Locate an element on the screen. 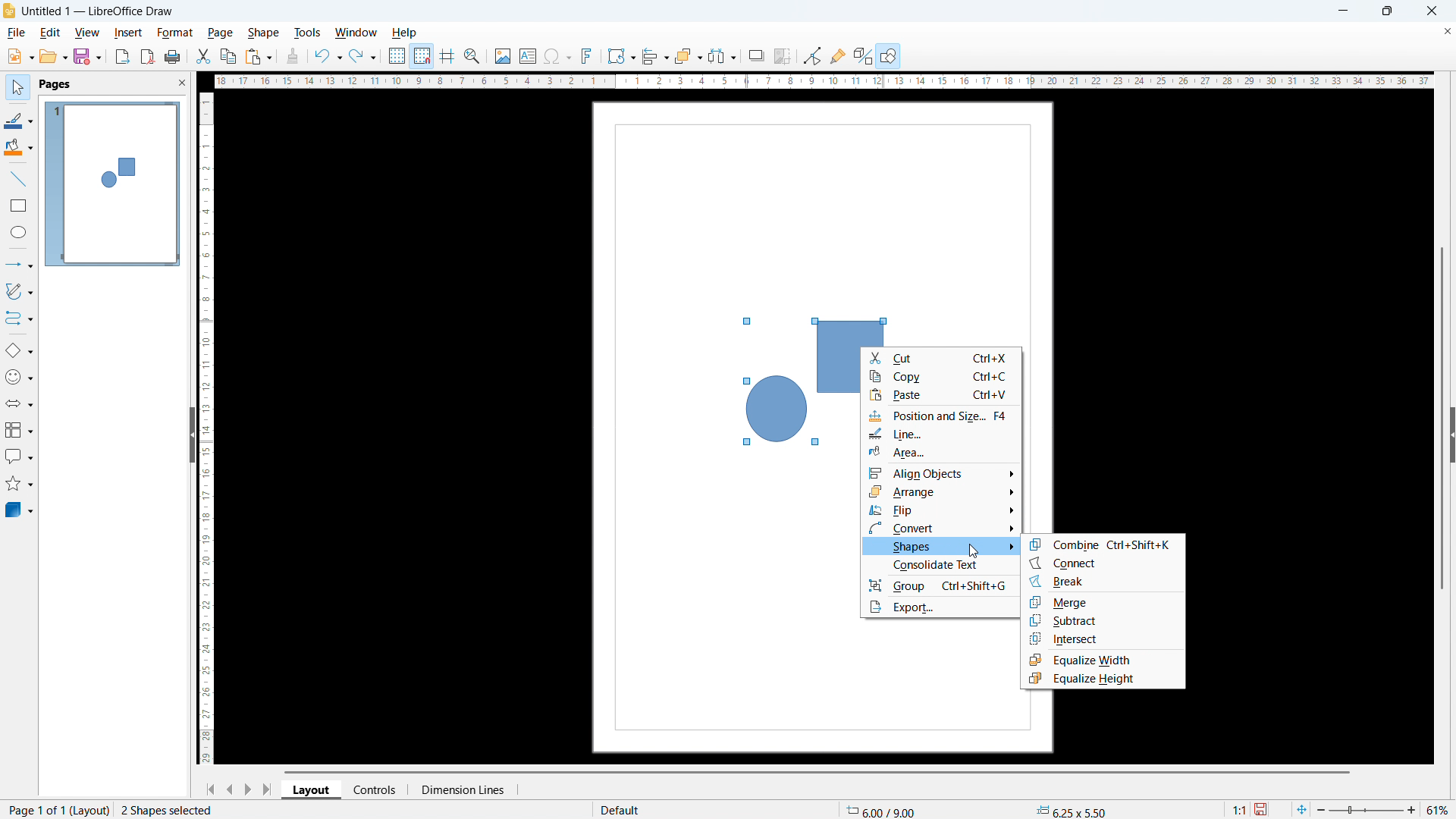  expand sidebar is located at coordinates (1453, 435).